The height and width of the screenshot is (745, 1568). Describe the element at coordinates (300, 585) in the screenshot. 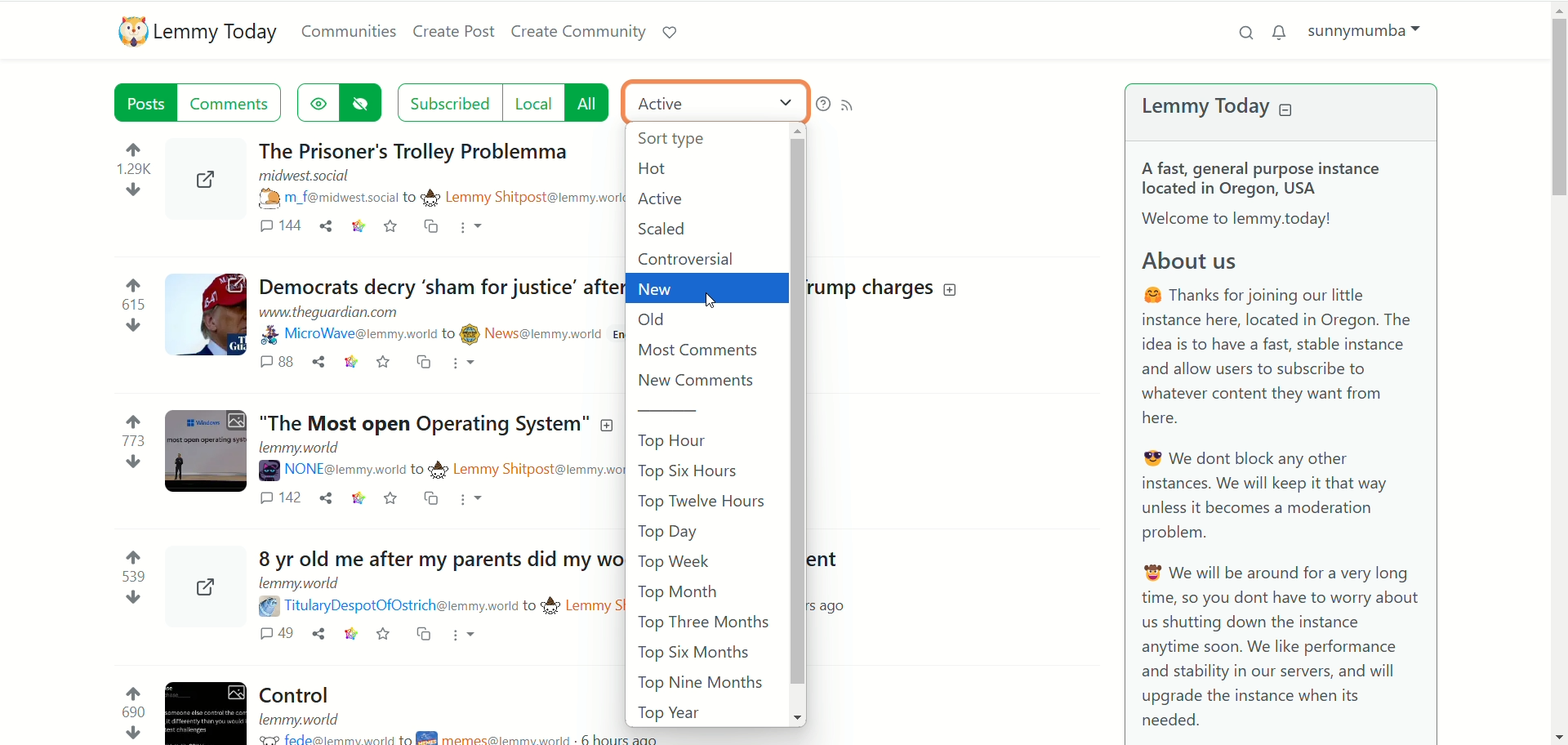

I see `lemmy.world` at that location.